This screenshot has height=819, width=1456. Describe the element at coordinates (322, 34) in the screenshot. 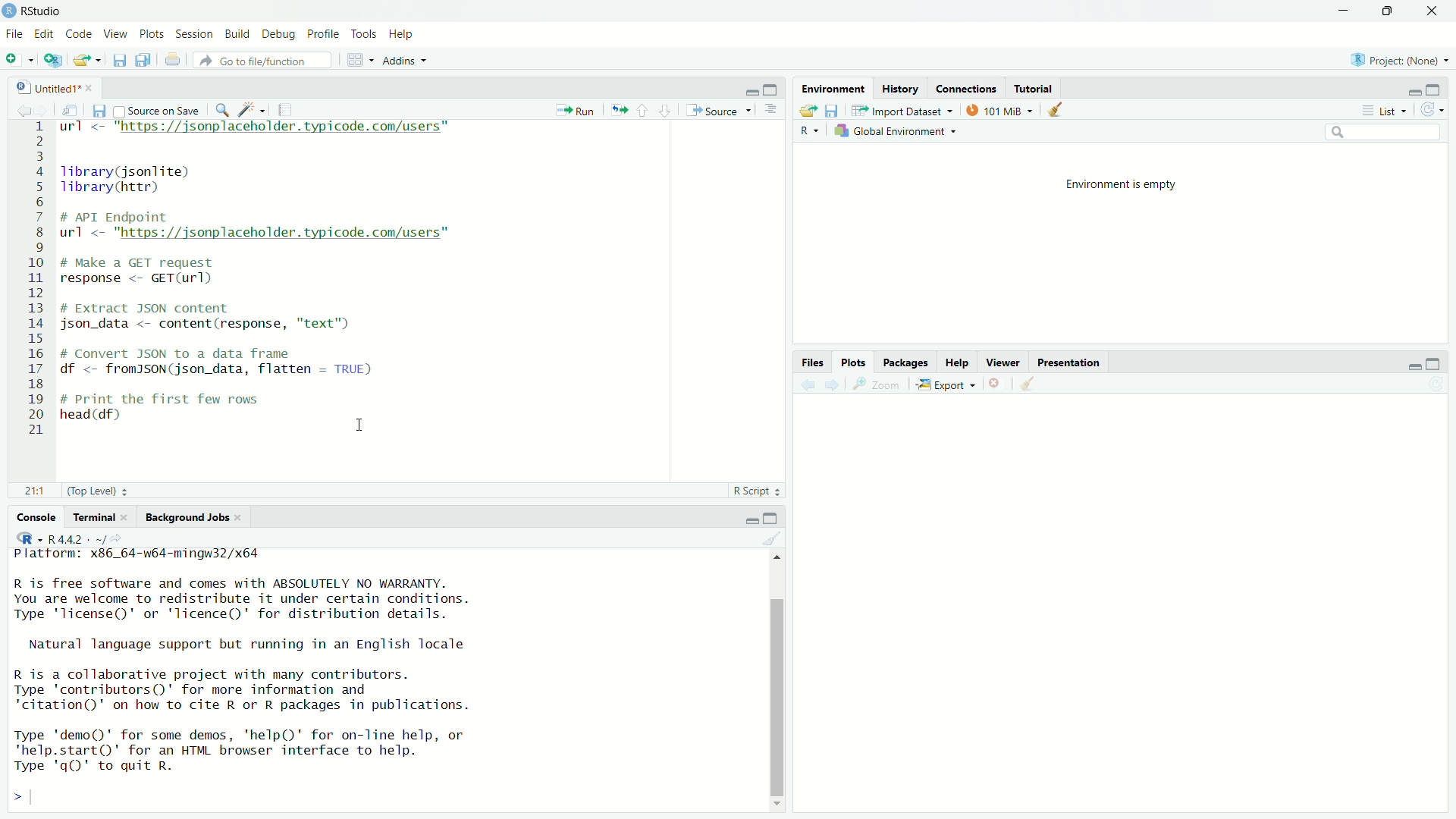

I see `Profile` at that location.